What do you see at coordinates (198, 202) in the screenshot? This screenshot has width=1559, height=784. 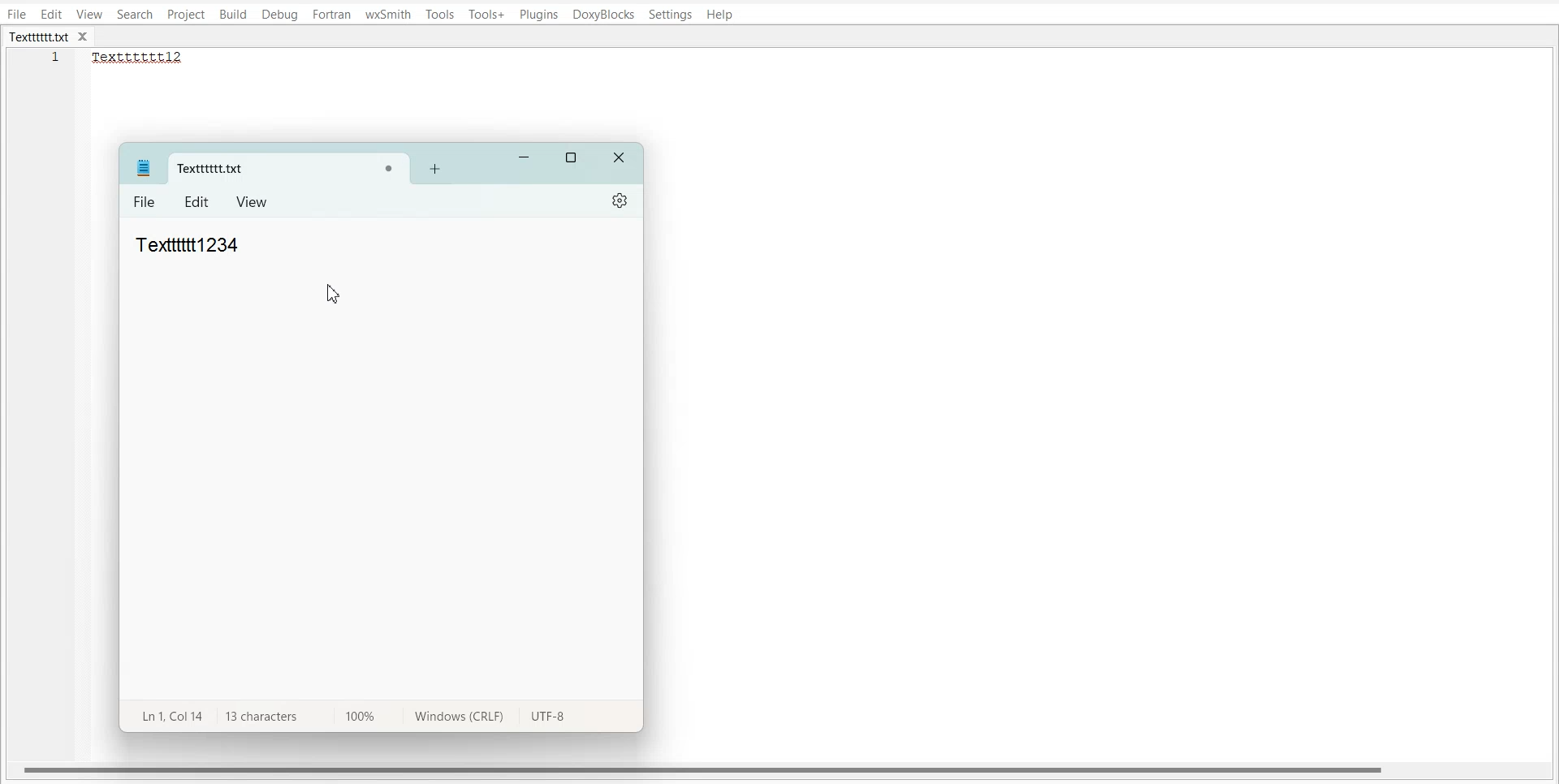 I see `Edit` at bounding box center [198, 202].